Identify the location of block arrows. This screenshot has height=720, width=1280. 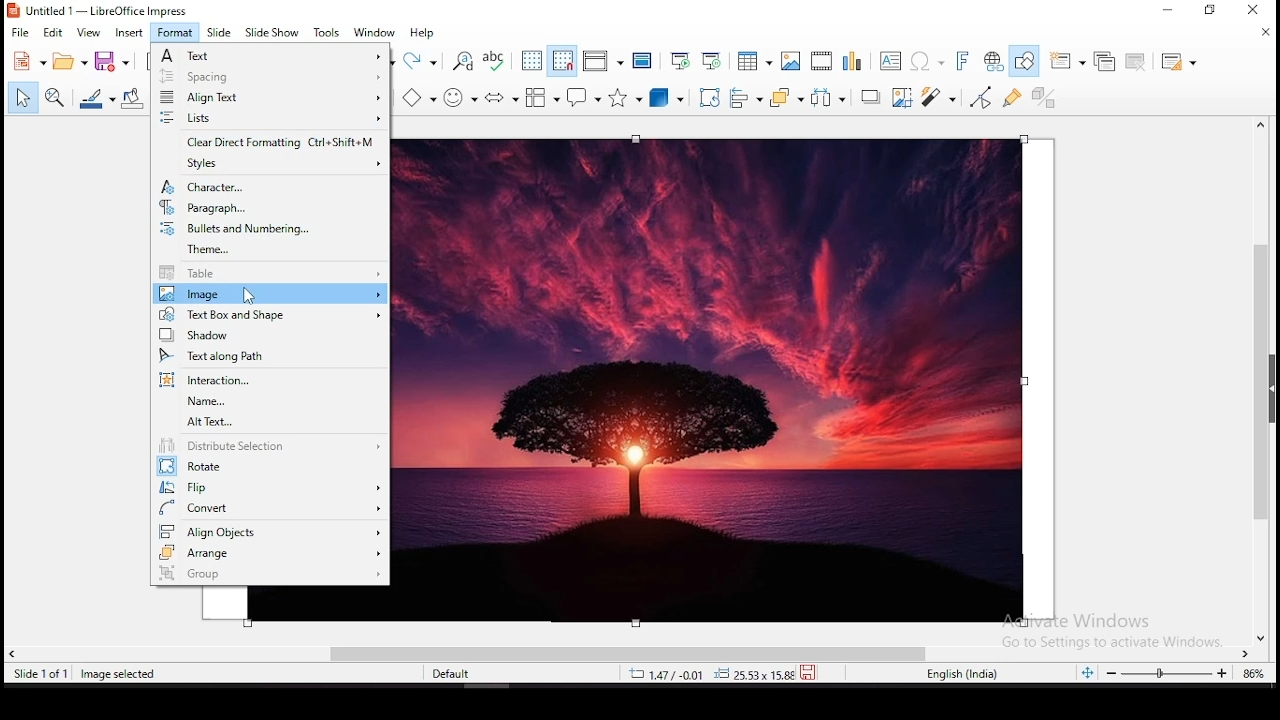
(502, 97).